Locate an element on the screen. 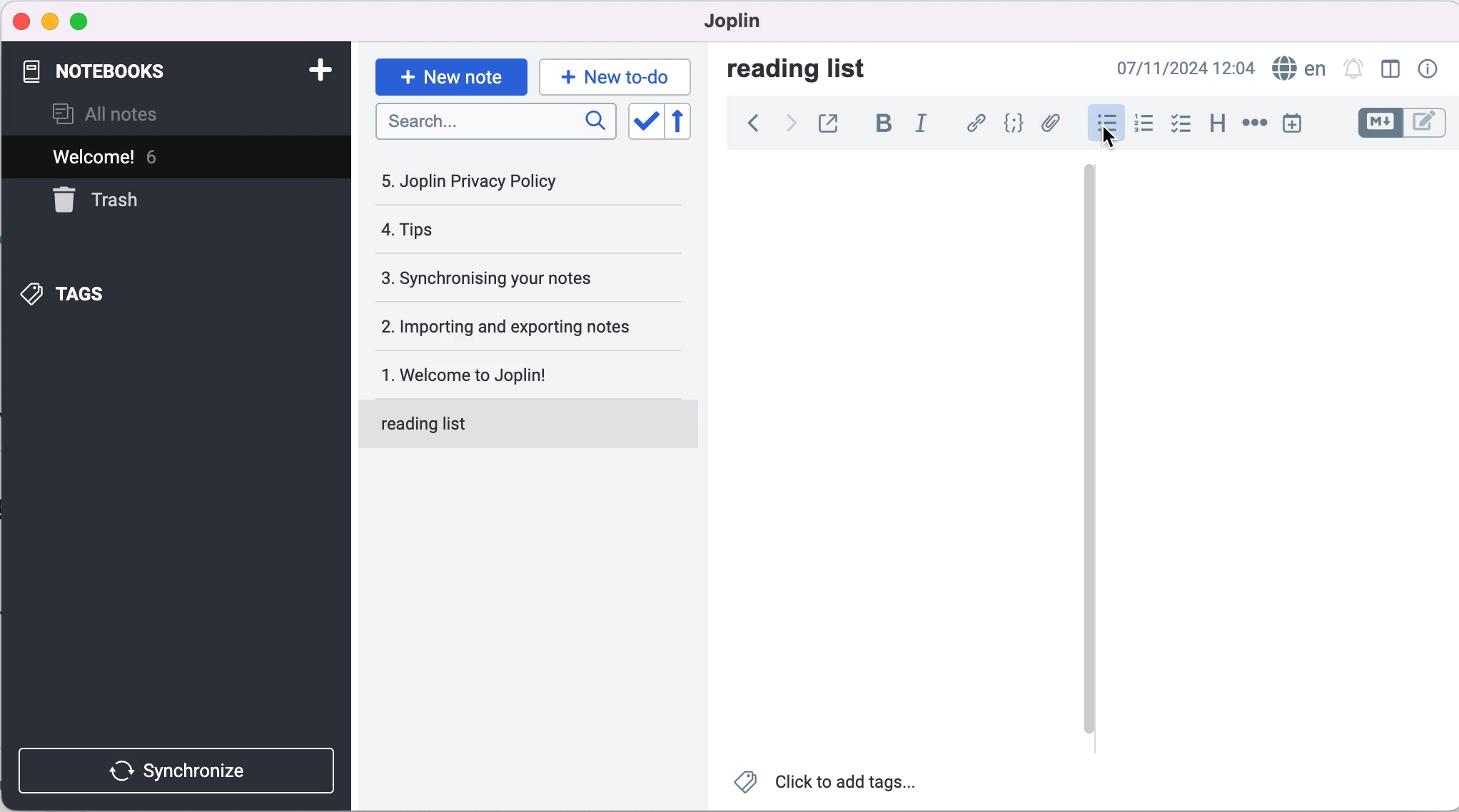 Image resolution: width=1459 pixels, height=812 pixels. click to add tags is located at coordinates (829, 787).